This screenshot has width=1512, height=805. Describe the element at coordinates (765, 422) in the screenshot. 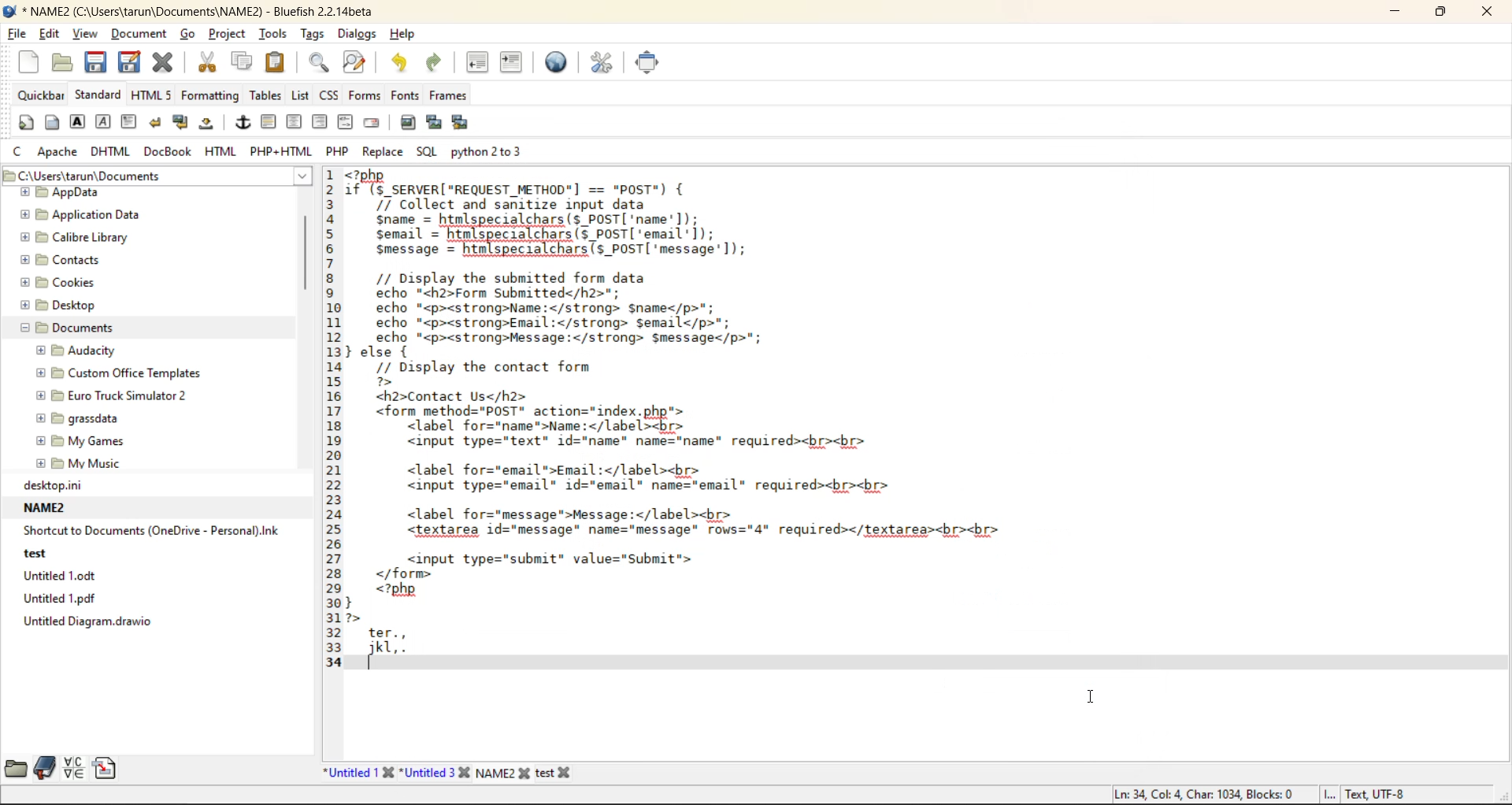

I see `code editor` at that location.